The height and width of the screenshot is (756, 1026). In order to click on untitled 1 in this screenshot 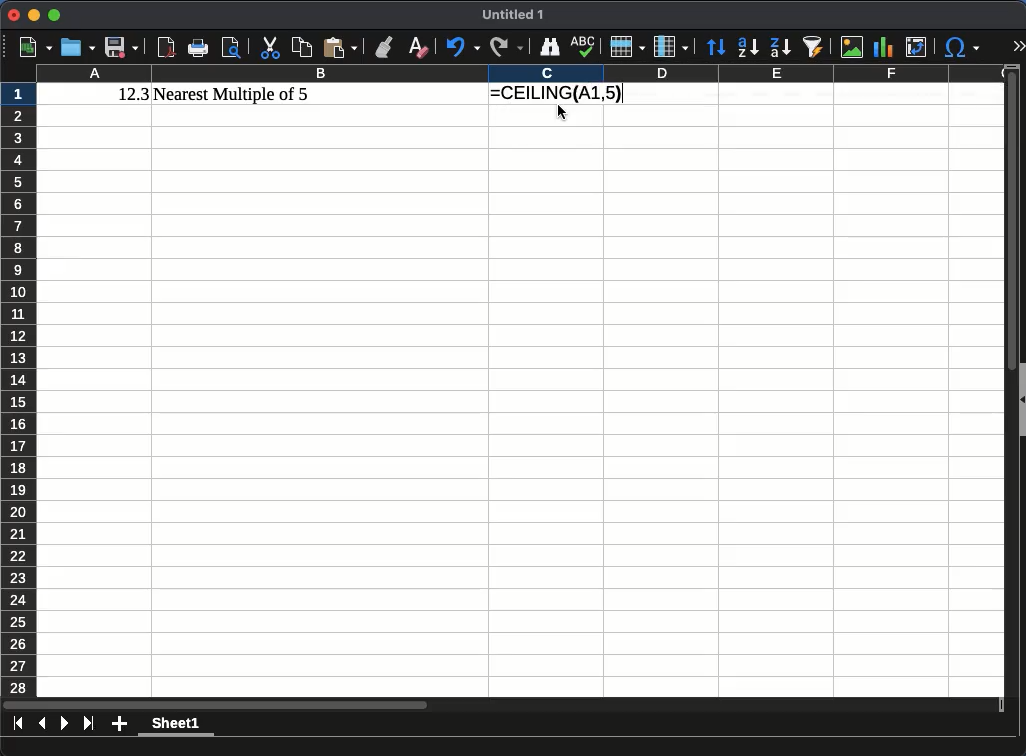, I will do `click(513, 15)`.